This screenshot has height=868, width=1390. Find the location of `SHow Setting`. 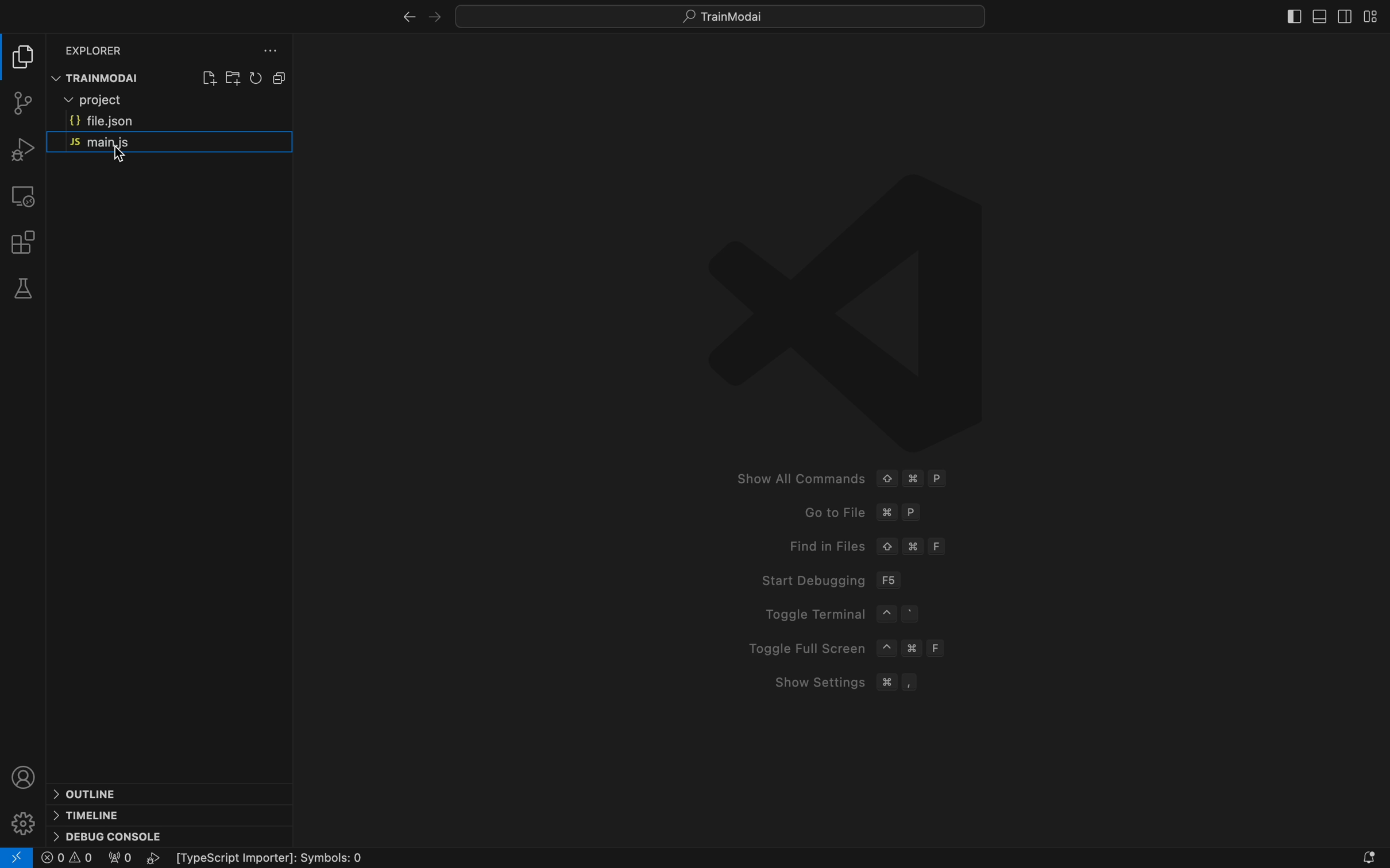

SHow Setting is located at coordinates (848, 682).